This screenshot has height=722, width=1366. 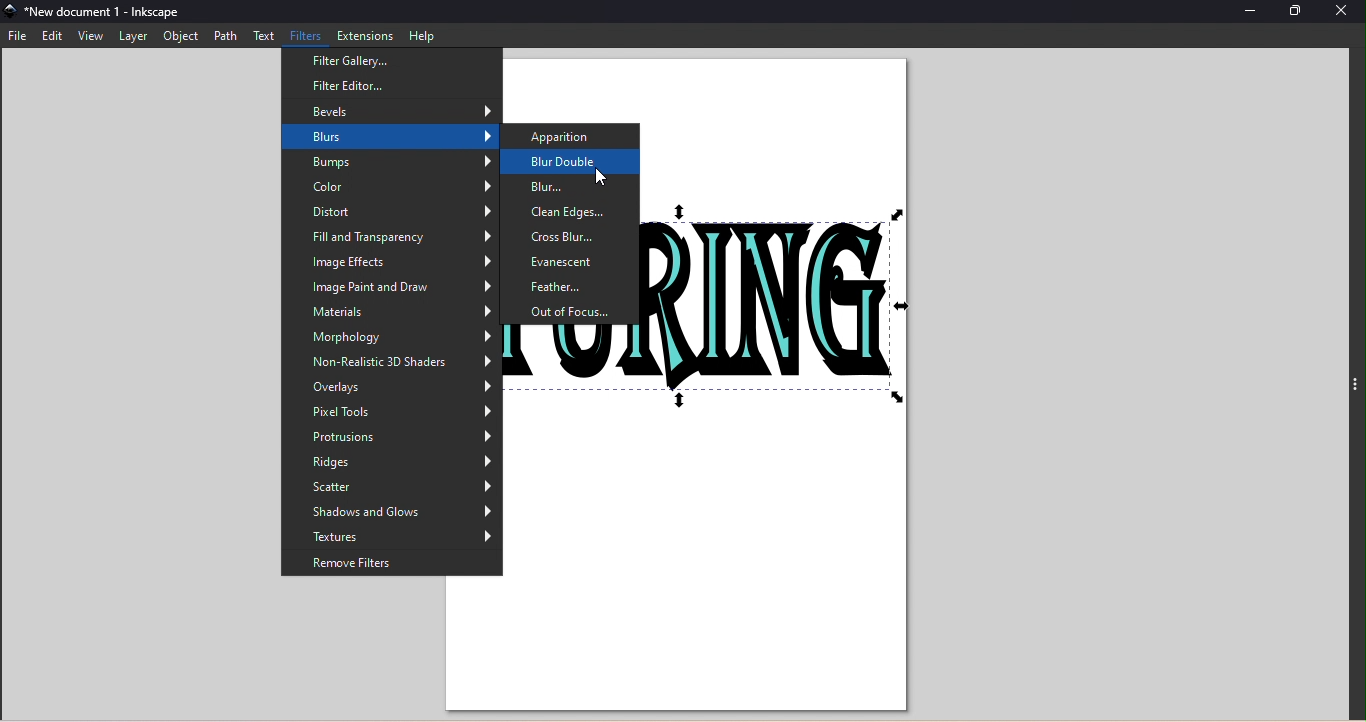 What do you see at coordinates (266, 36) in the screenshot?
I see `Text` at bounding box center [266, 36].